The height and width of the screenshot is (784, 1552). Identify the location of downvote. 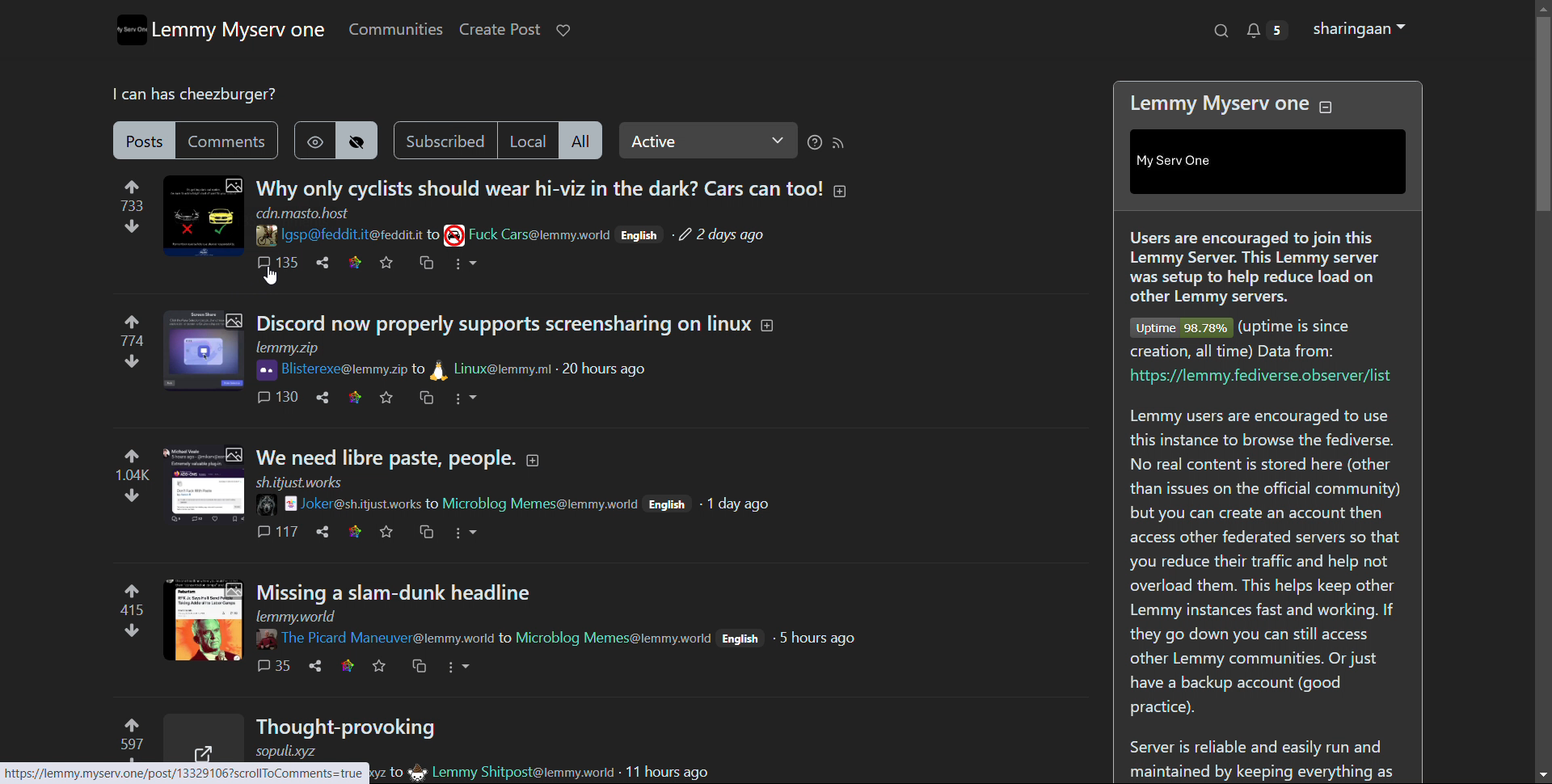
(132, 226).